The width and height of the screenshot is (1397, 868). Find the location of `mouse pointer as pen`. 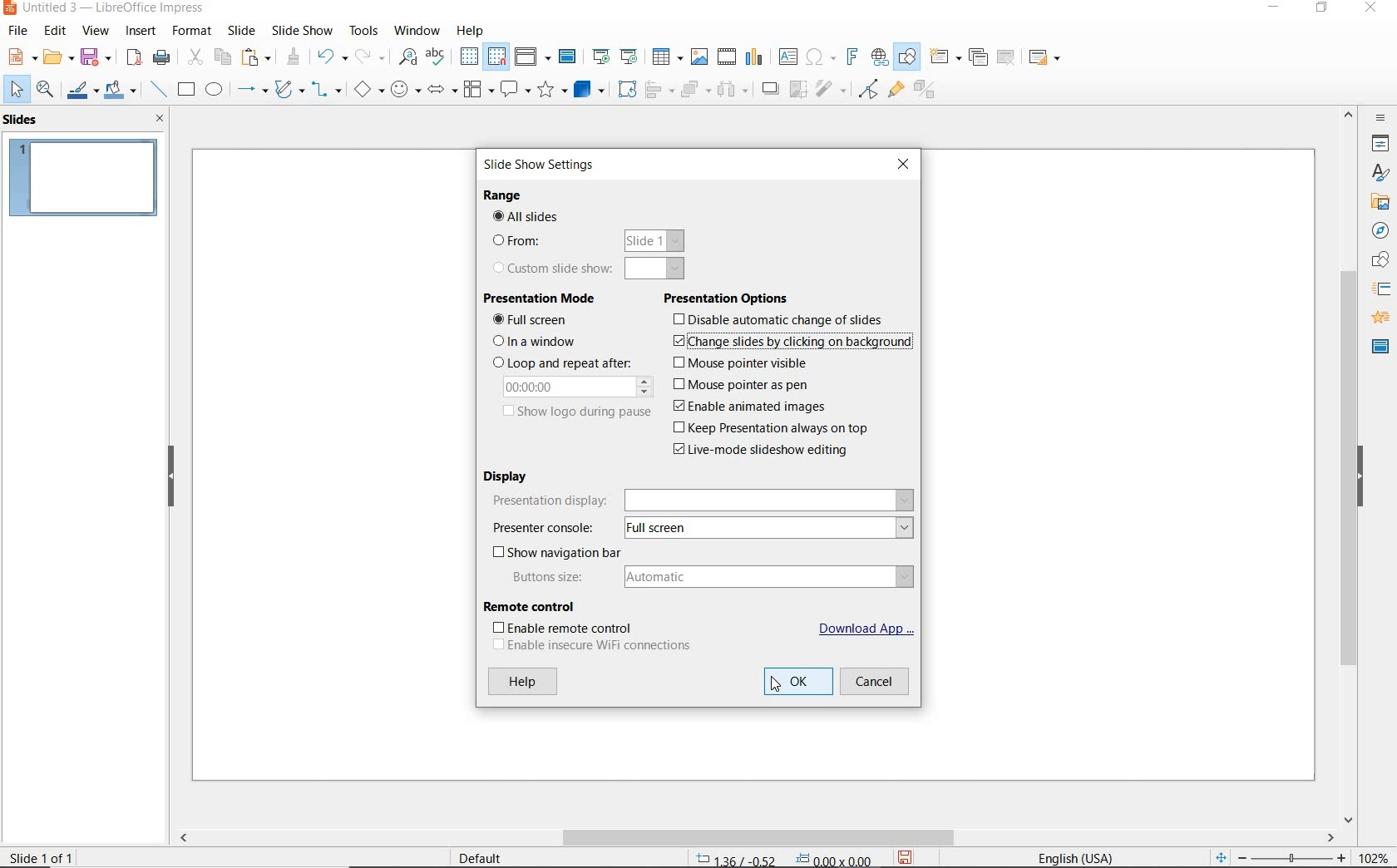

mouse pointer as pen is located at coordinates (746, 385).